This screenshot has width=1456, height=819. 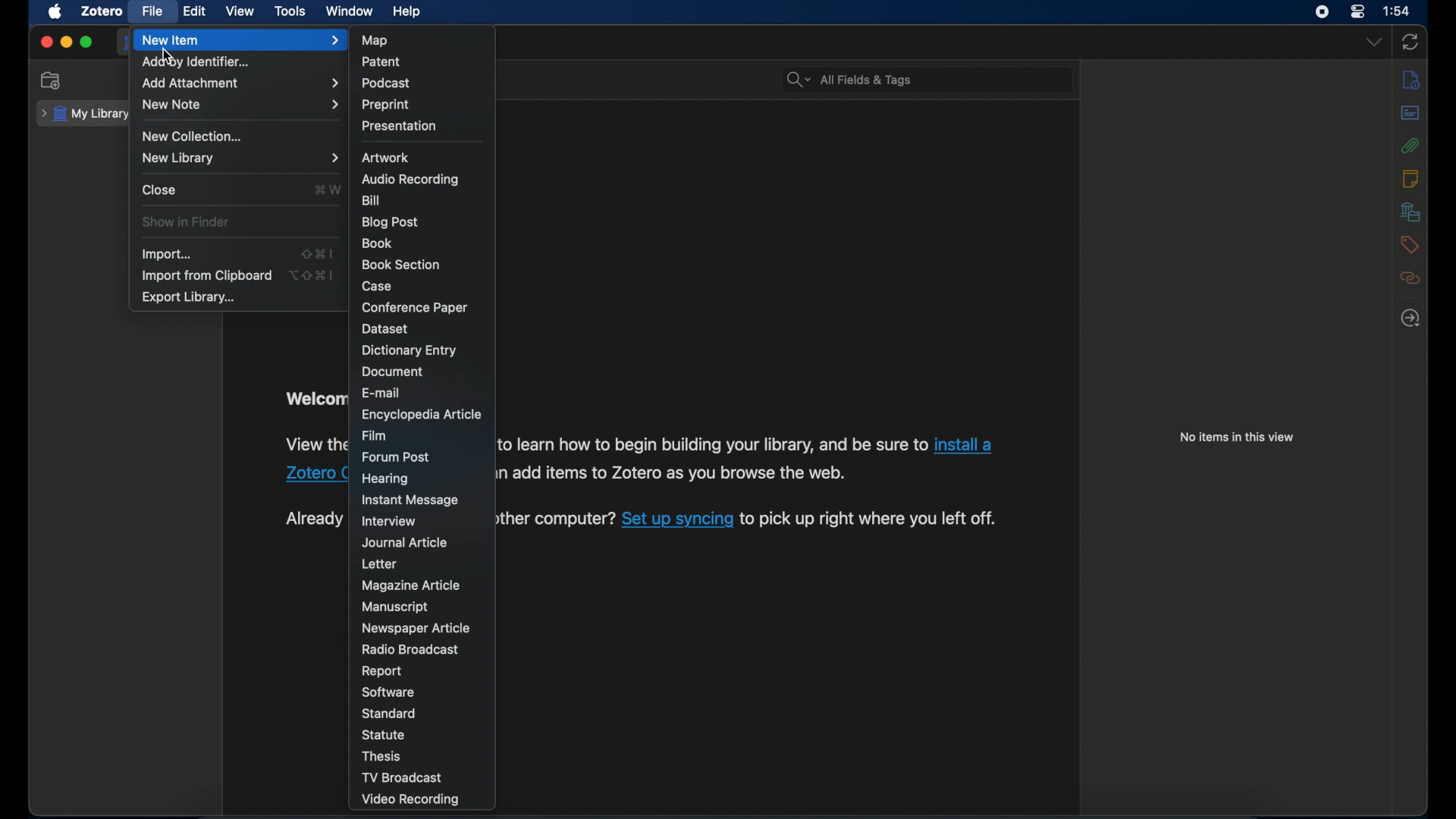 I want to click on dataset, so click(x=388, y=329).